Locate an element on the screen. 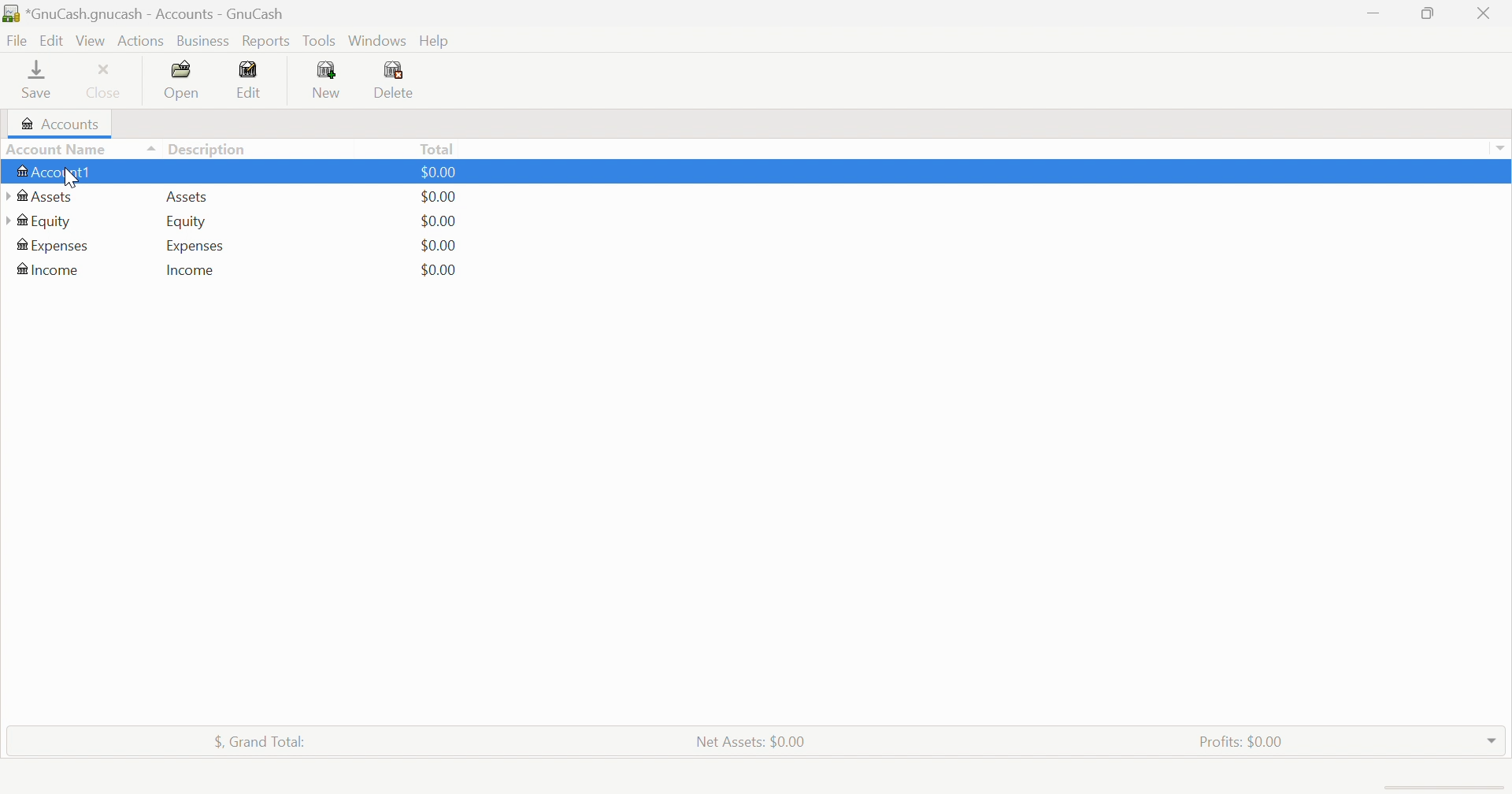 The height and width of the screenshot is (794, 1512). $, Grand Total: is located at coordinates (259, 742).